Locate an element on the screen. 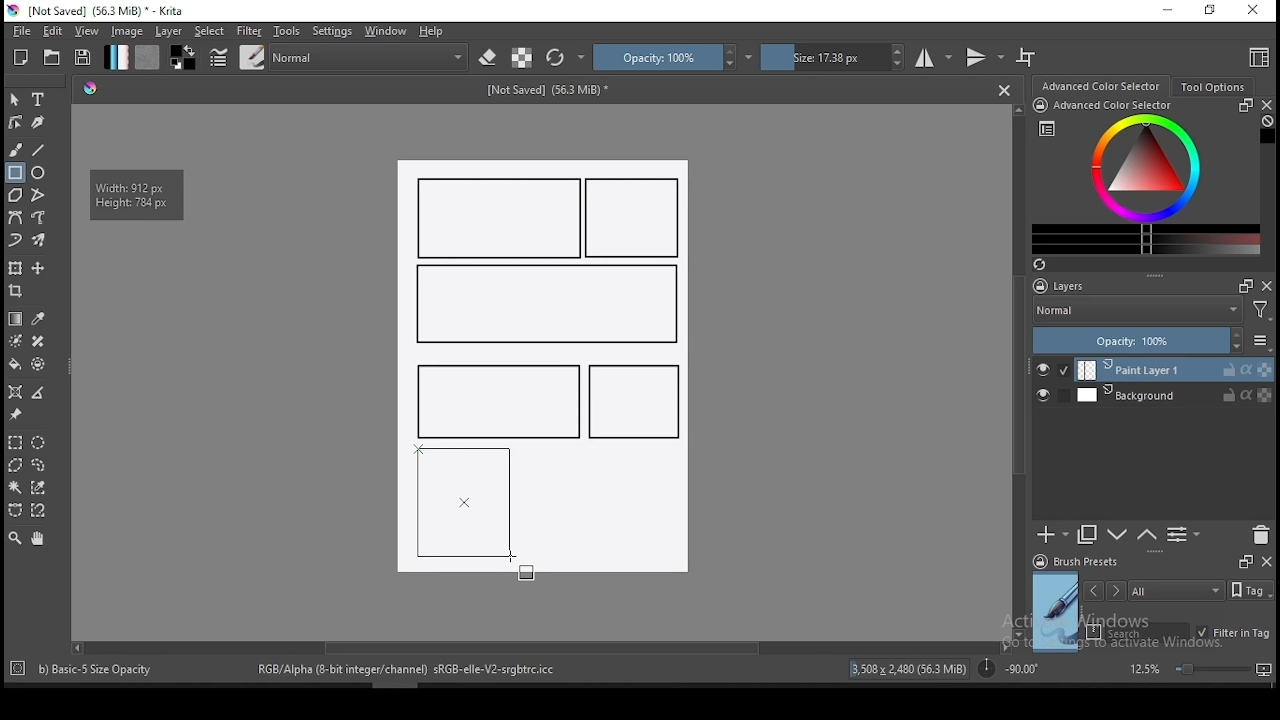  layers is located at coordinates (1065, 287).